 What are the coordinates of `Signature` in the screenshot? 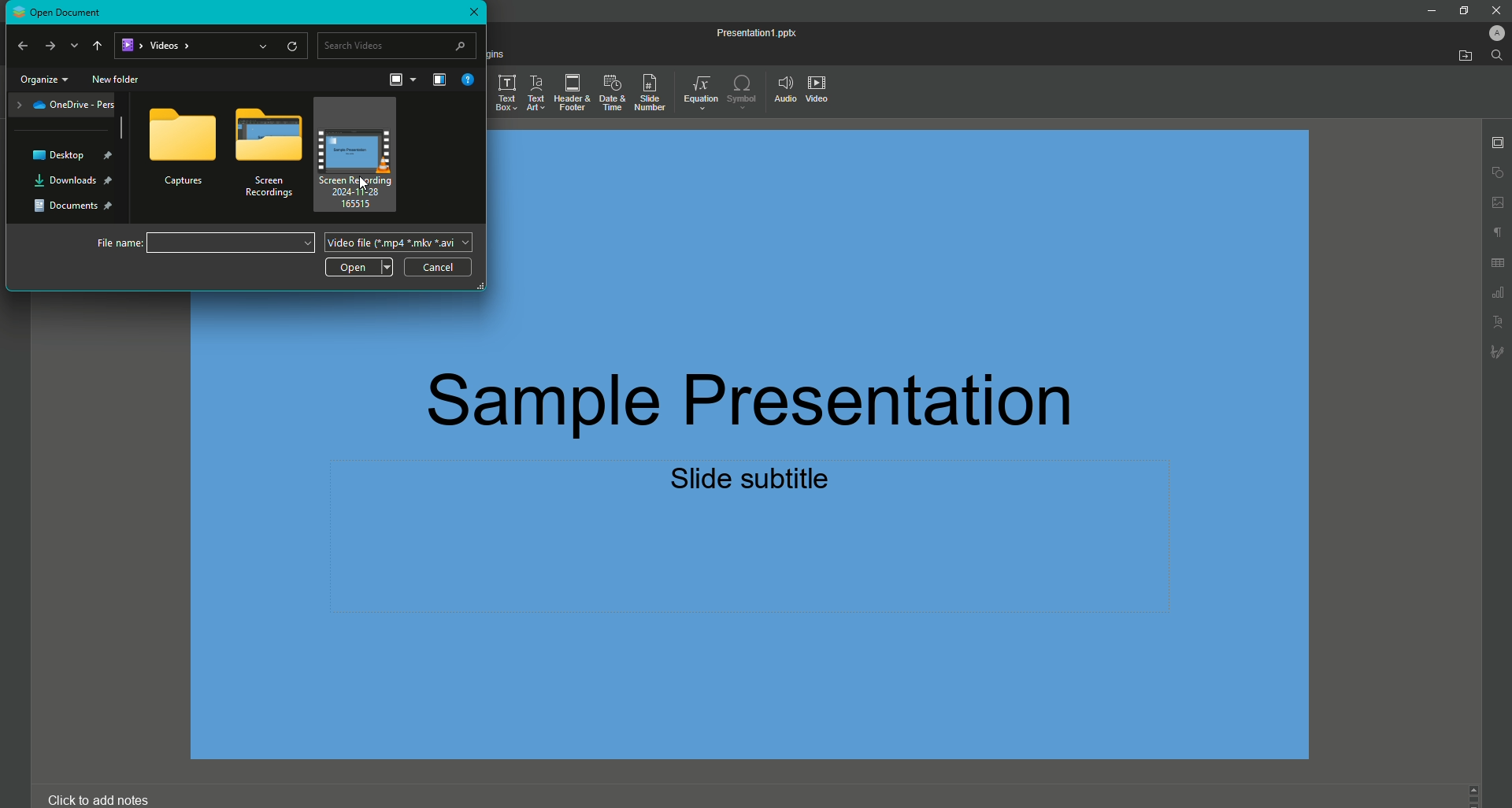 It's located at (1497, 351).